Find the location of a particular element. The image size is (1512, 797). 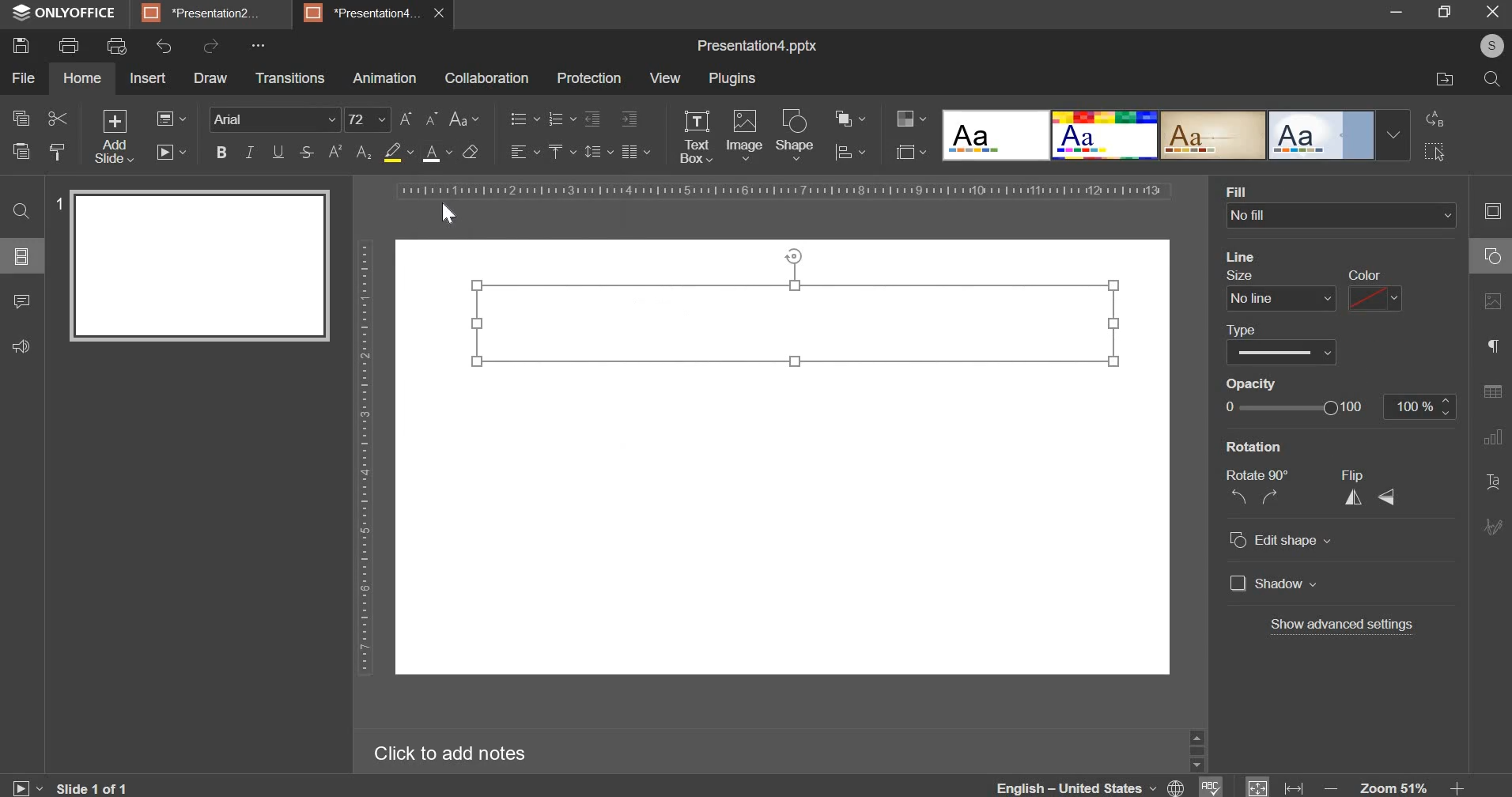

paste is located at coordinates (20, 150).